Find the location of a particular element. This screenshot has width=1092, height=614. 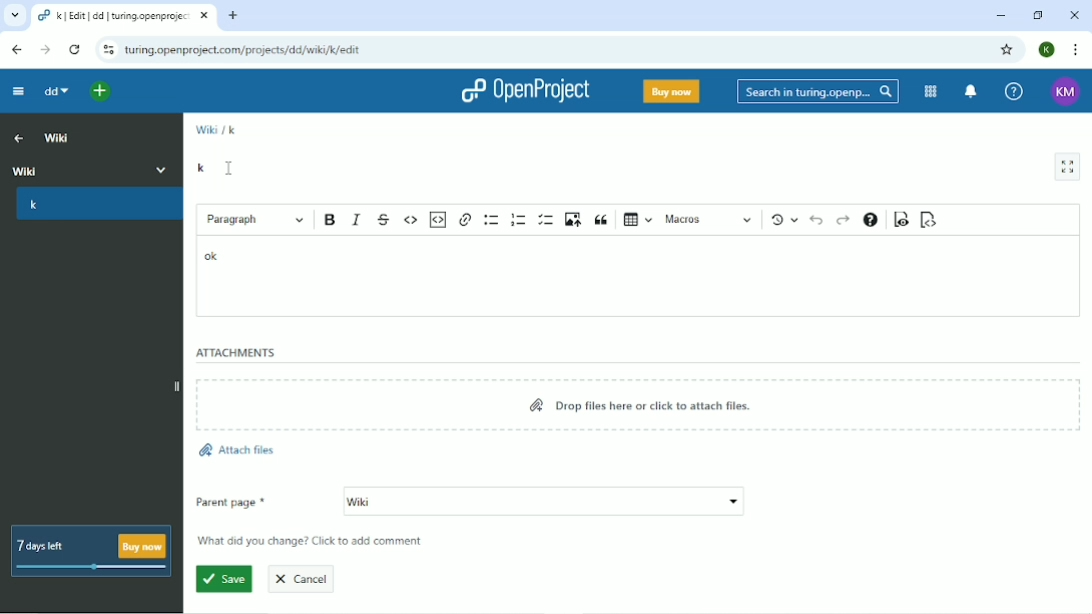

What did you change? Click to add comment. is located at coordinates (317, 542).